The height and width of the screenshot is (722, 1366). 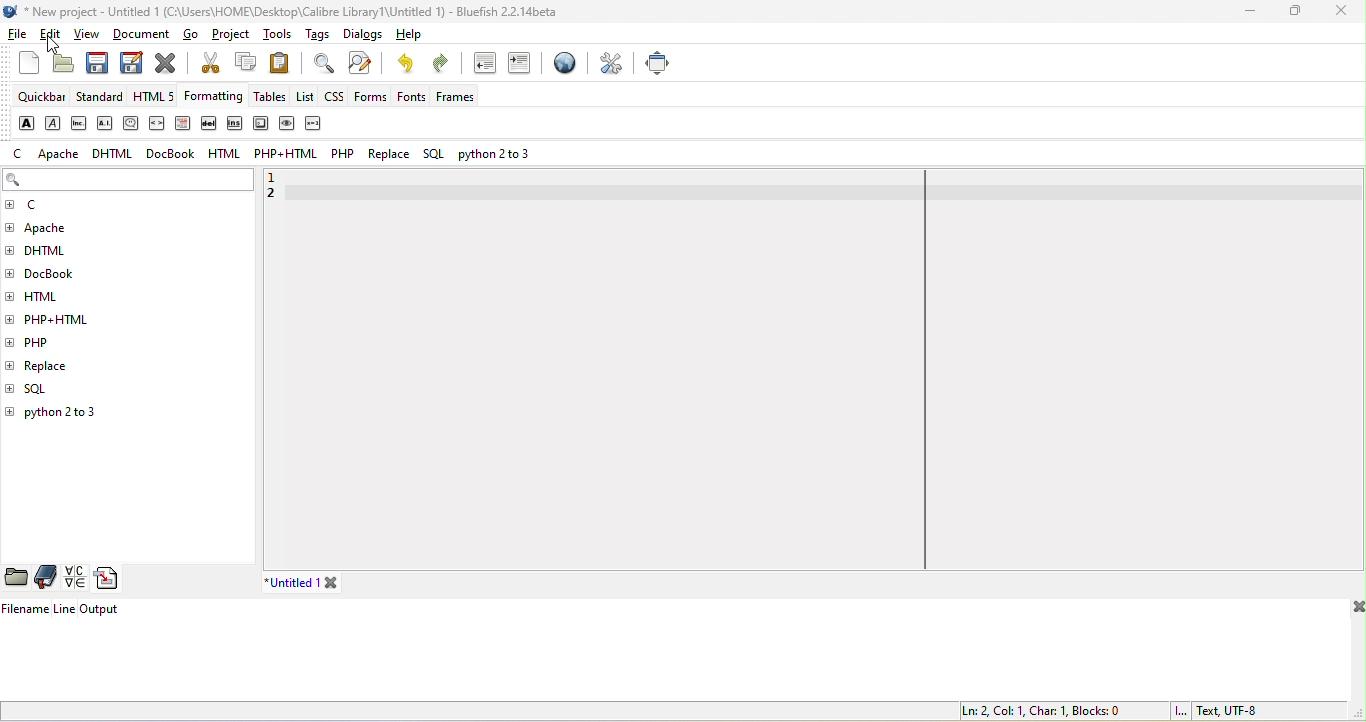 What do you see at coordinates (111, 579) in the screenshot?
I see `snippets` at bounding box center [111, 579].